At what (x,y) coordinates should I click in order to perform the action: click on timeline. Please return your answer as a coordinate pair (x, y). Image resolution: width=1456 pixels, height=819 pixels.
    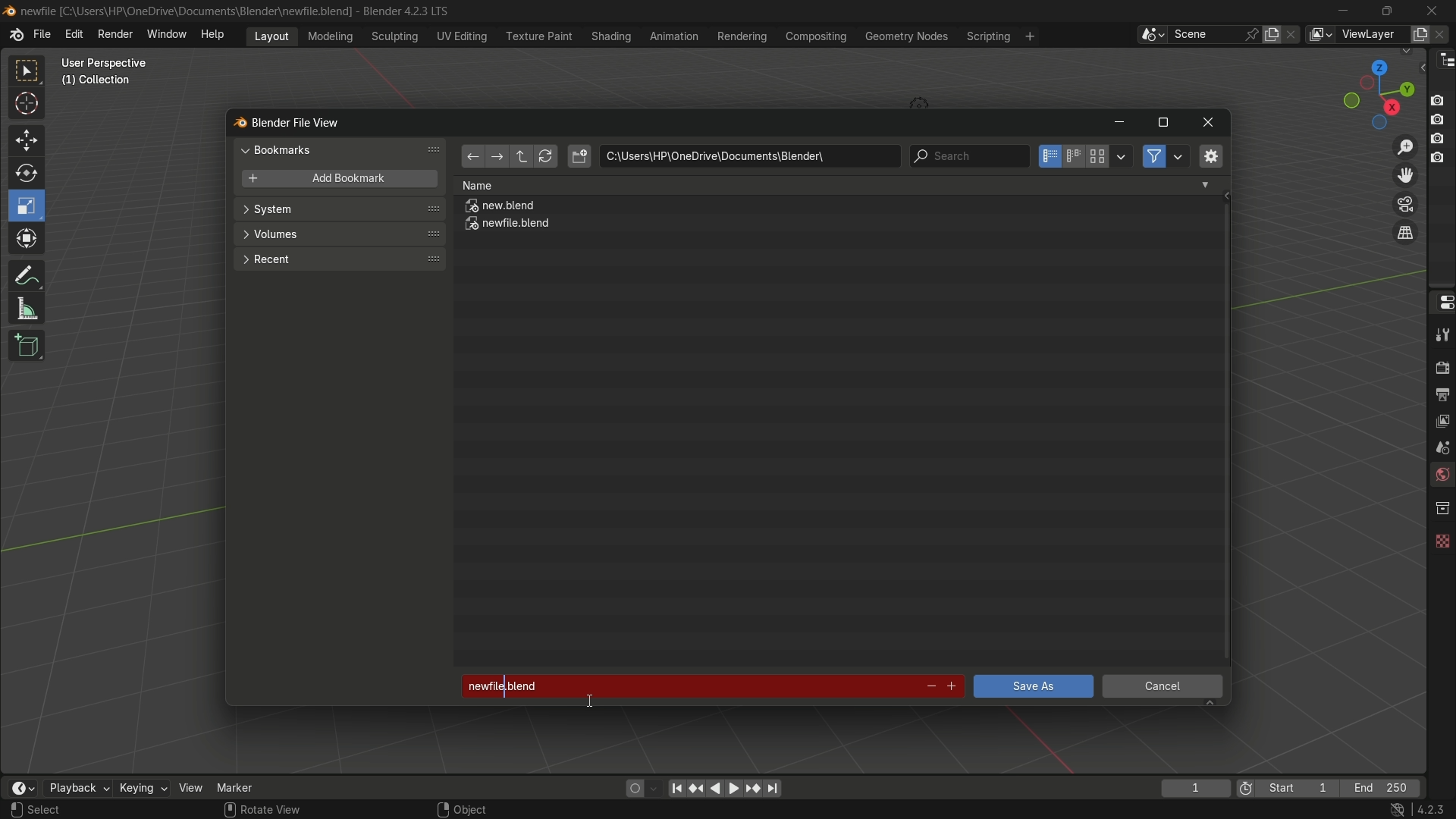
    Looking at the image, I should click on (22, 788).